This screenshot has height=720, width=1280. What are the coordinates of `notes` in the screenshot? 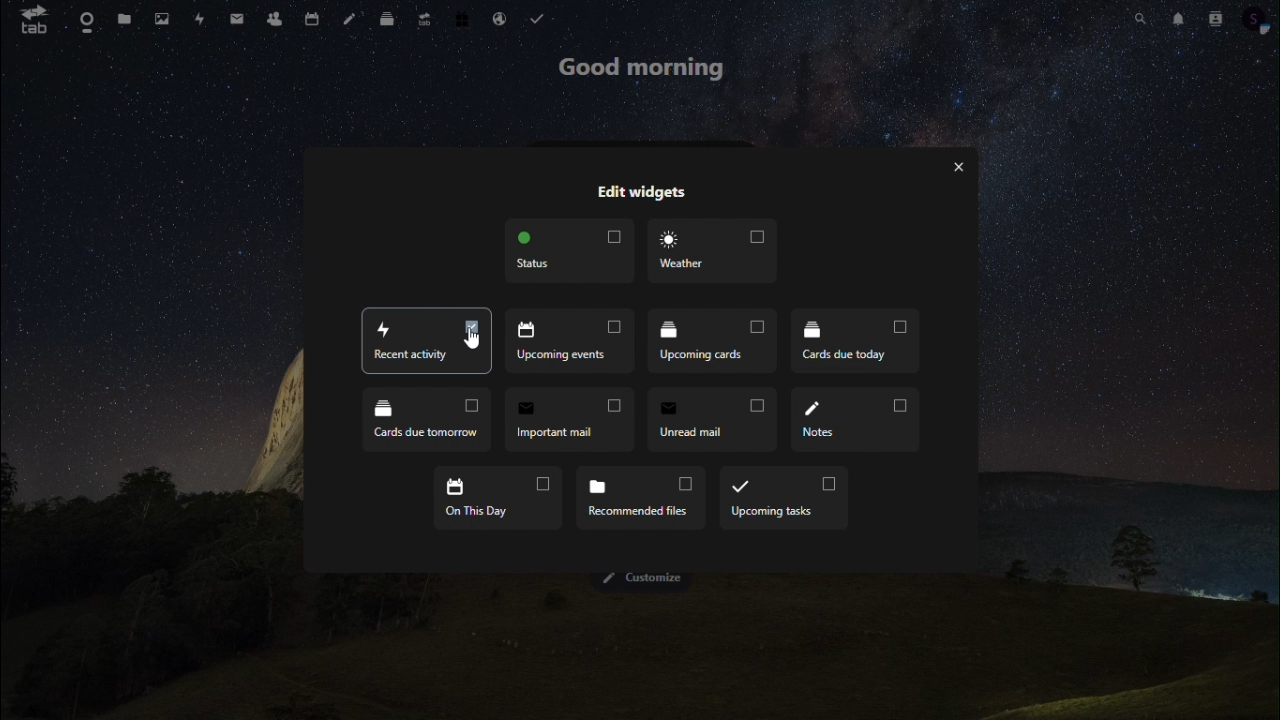 It's located at (854, 416).